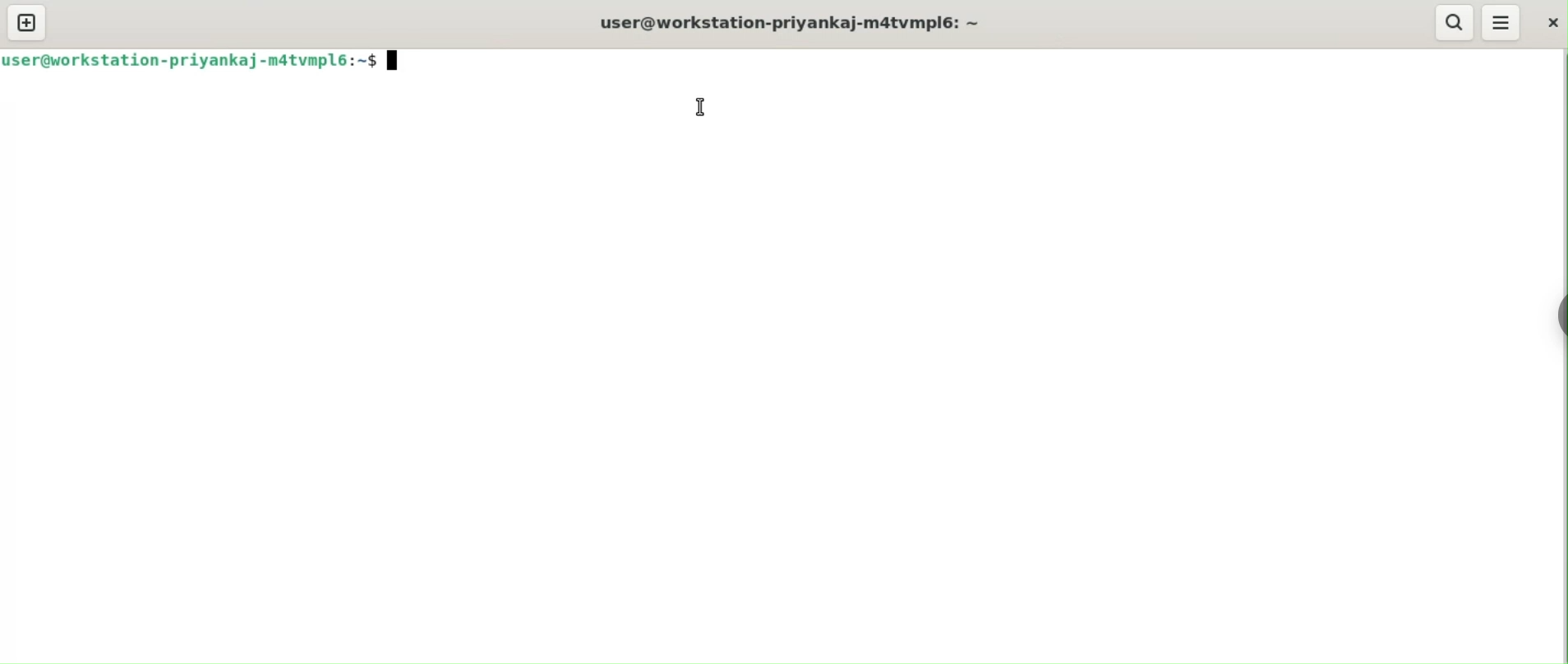  I want to click on new tab, so click(29, 19).